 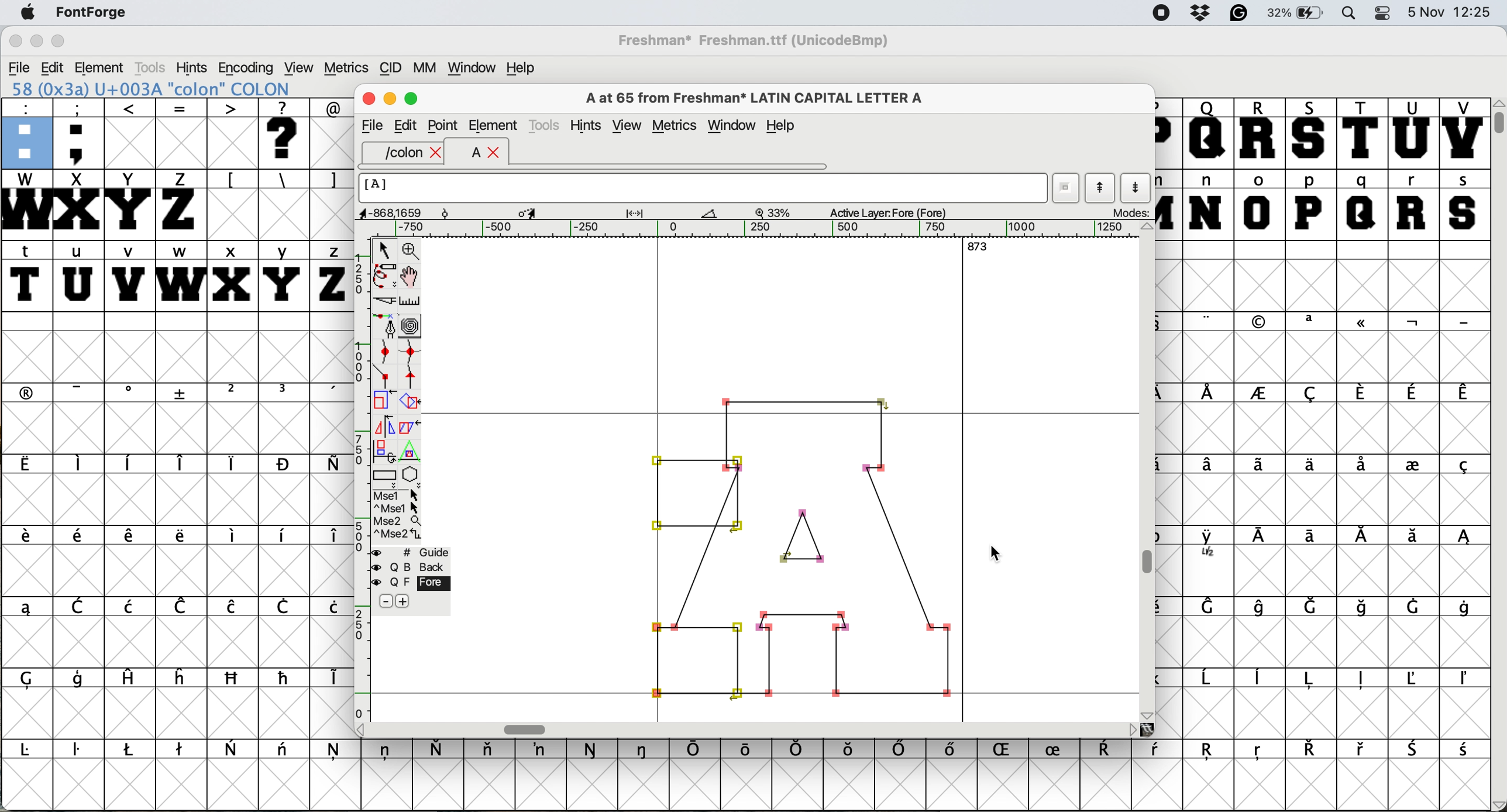 What do you see at coordinates (1210, 393) in the screenshot?
I see `symbol` at bounding box center [1210, 393].